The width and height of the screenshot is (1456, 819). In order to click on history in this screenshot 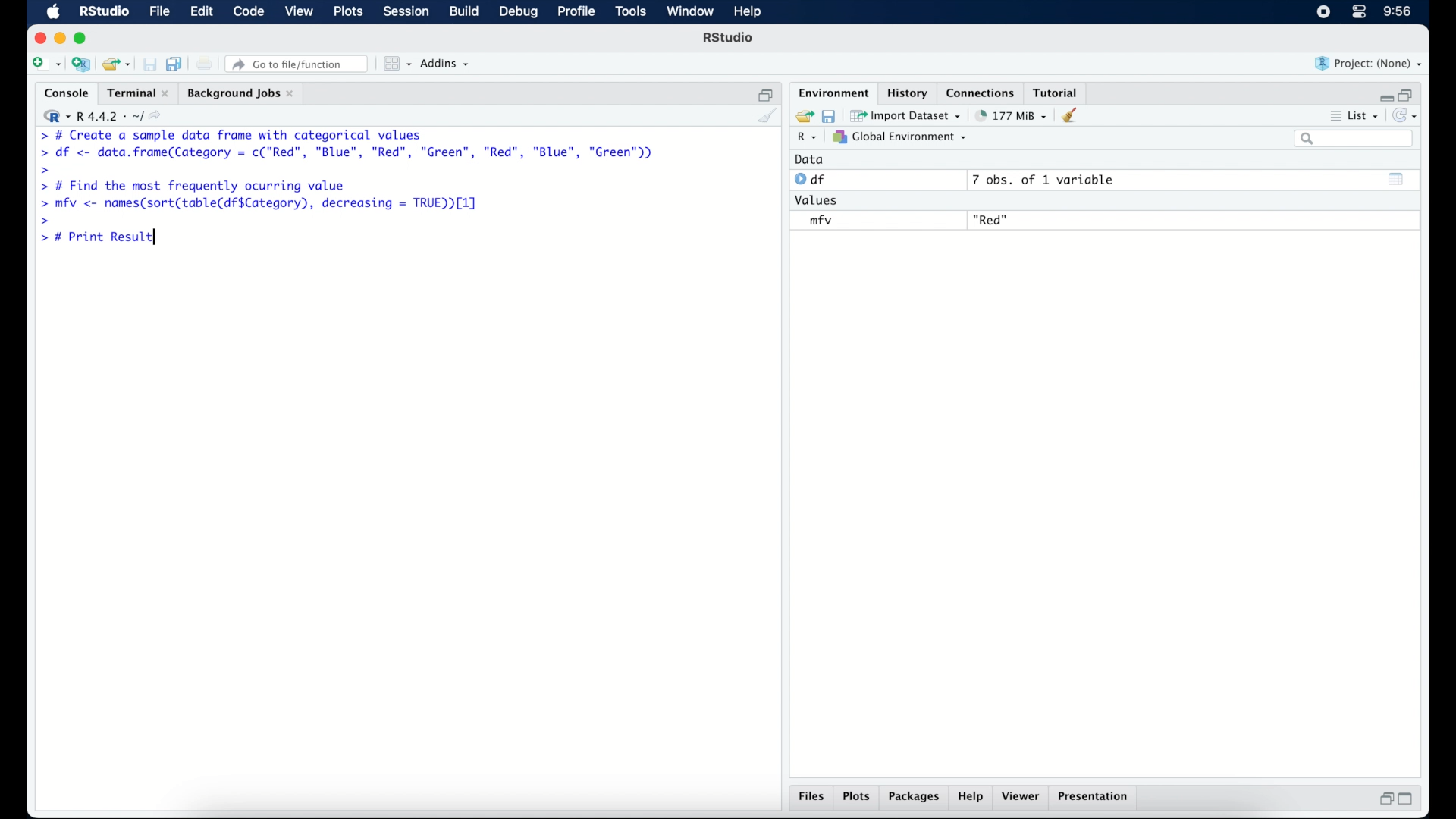, I will do `click(909, 93)`.